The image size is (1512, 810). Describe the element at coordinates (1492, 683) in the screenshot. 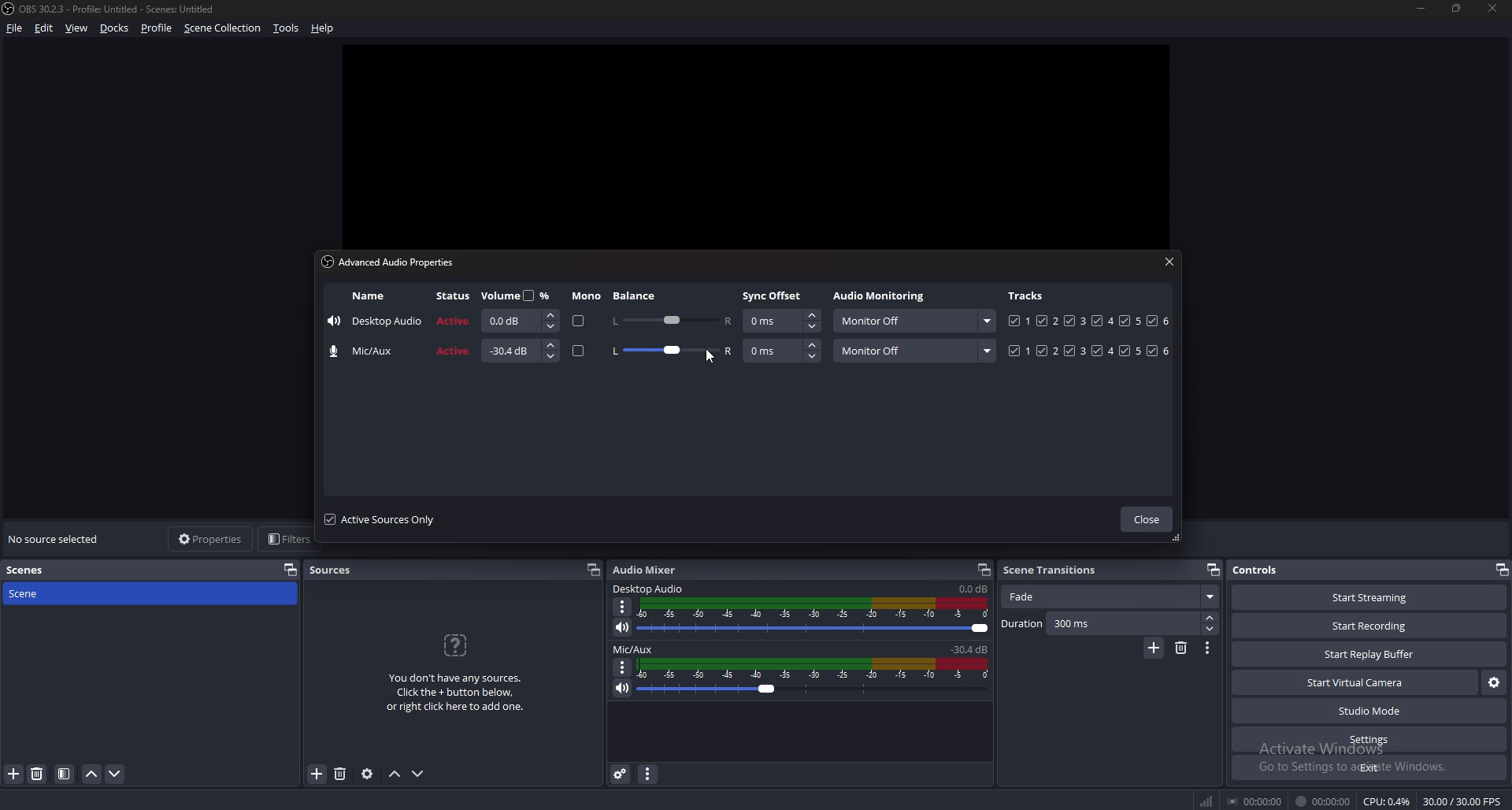

I see `configure virtual camera` at that location.